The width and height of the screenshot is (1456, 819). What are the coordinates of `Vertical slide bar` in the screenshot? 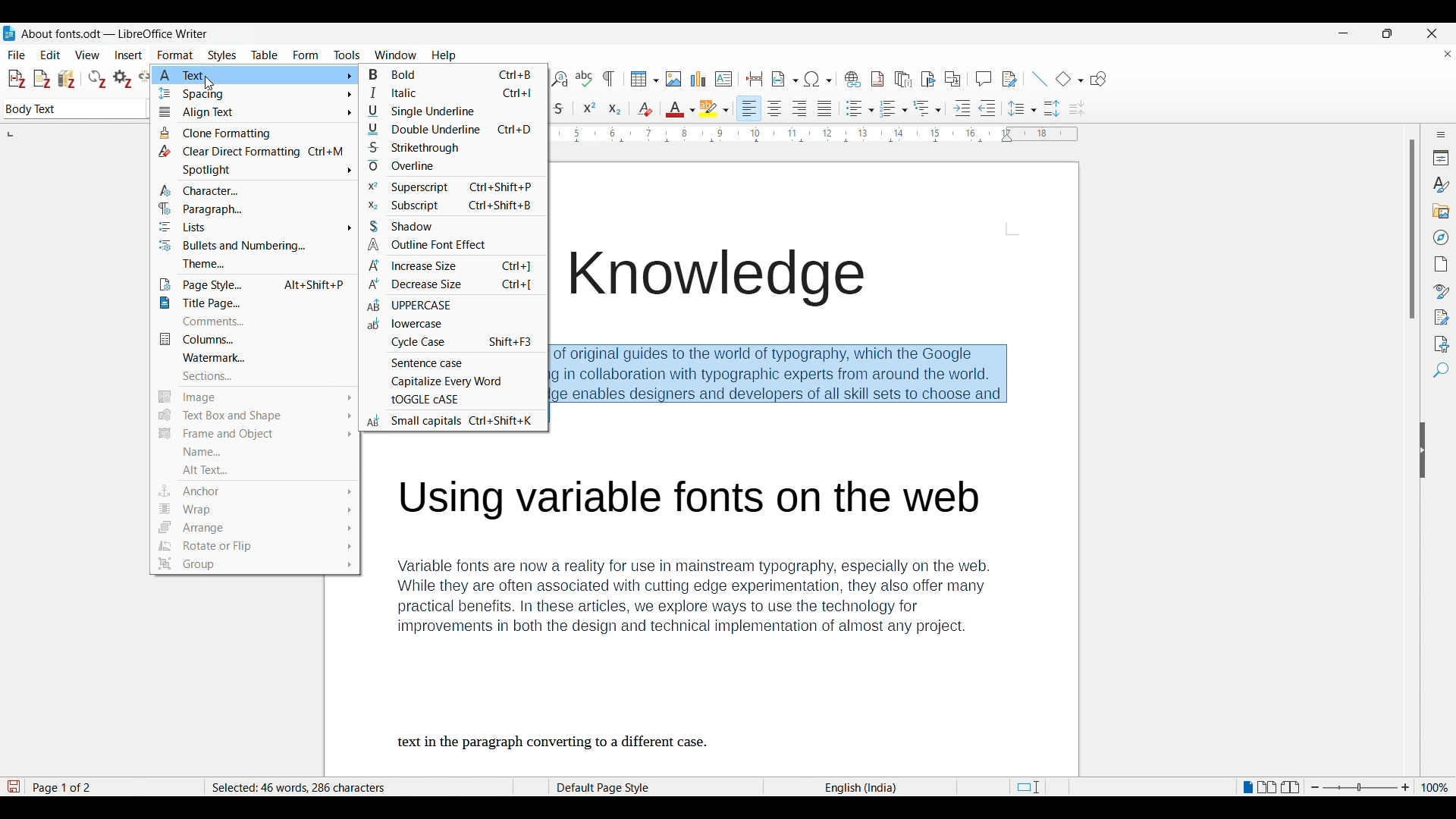 It's located at (1413, 230).